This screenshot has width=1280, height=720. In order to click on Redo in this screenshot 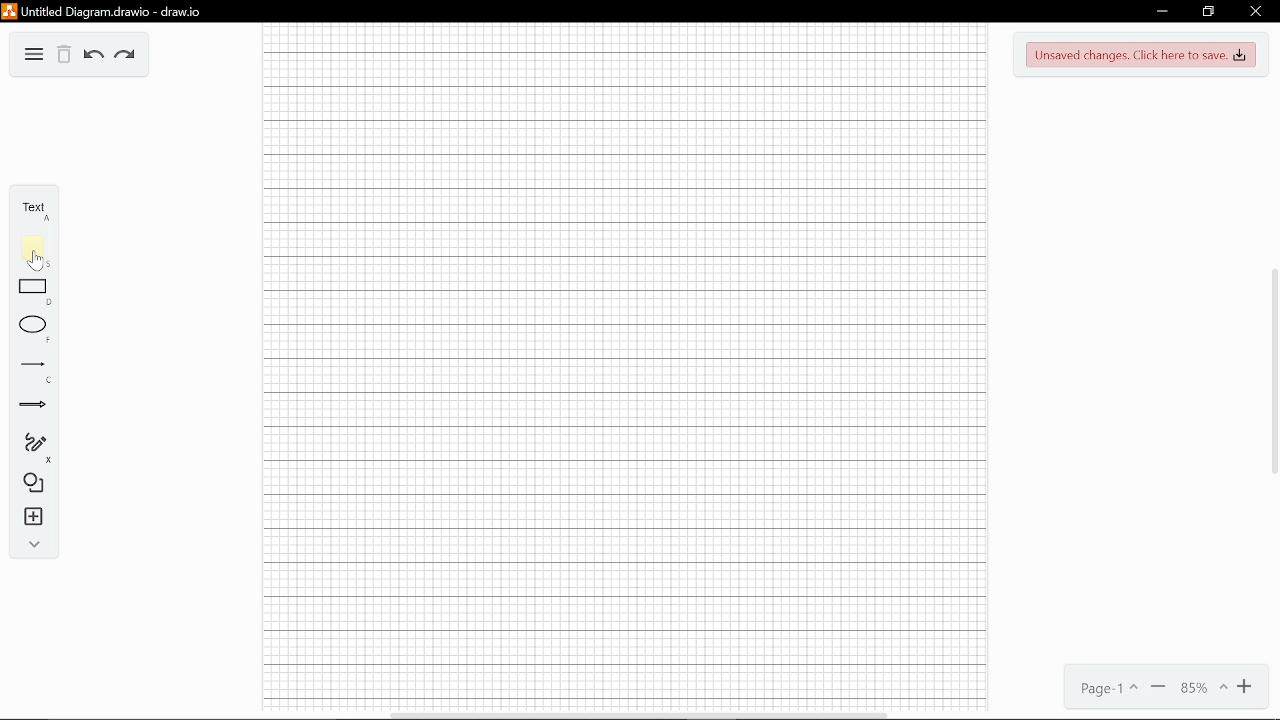, I will do `click(126, 56)`.